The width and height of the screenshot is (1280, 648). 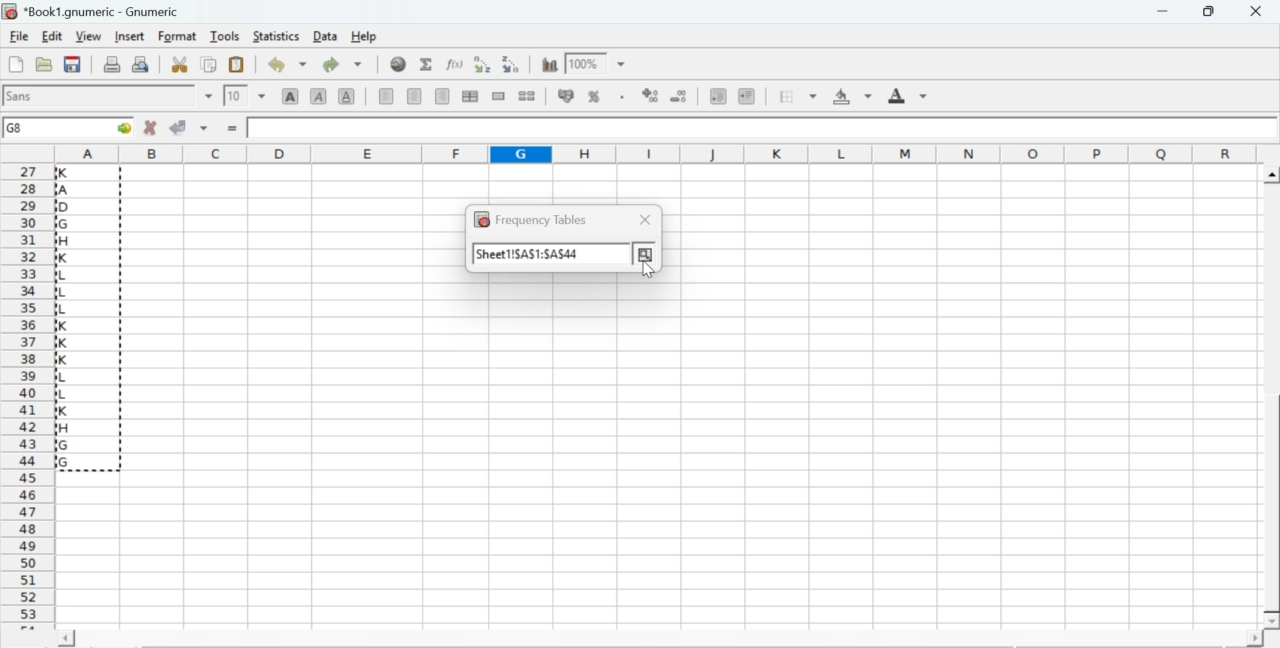 What do you see at coordinates (583, 63) in the screenshot?
I see `100%` at bounding box center [583, 63].